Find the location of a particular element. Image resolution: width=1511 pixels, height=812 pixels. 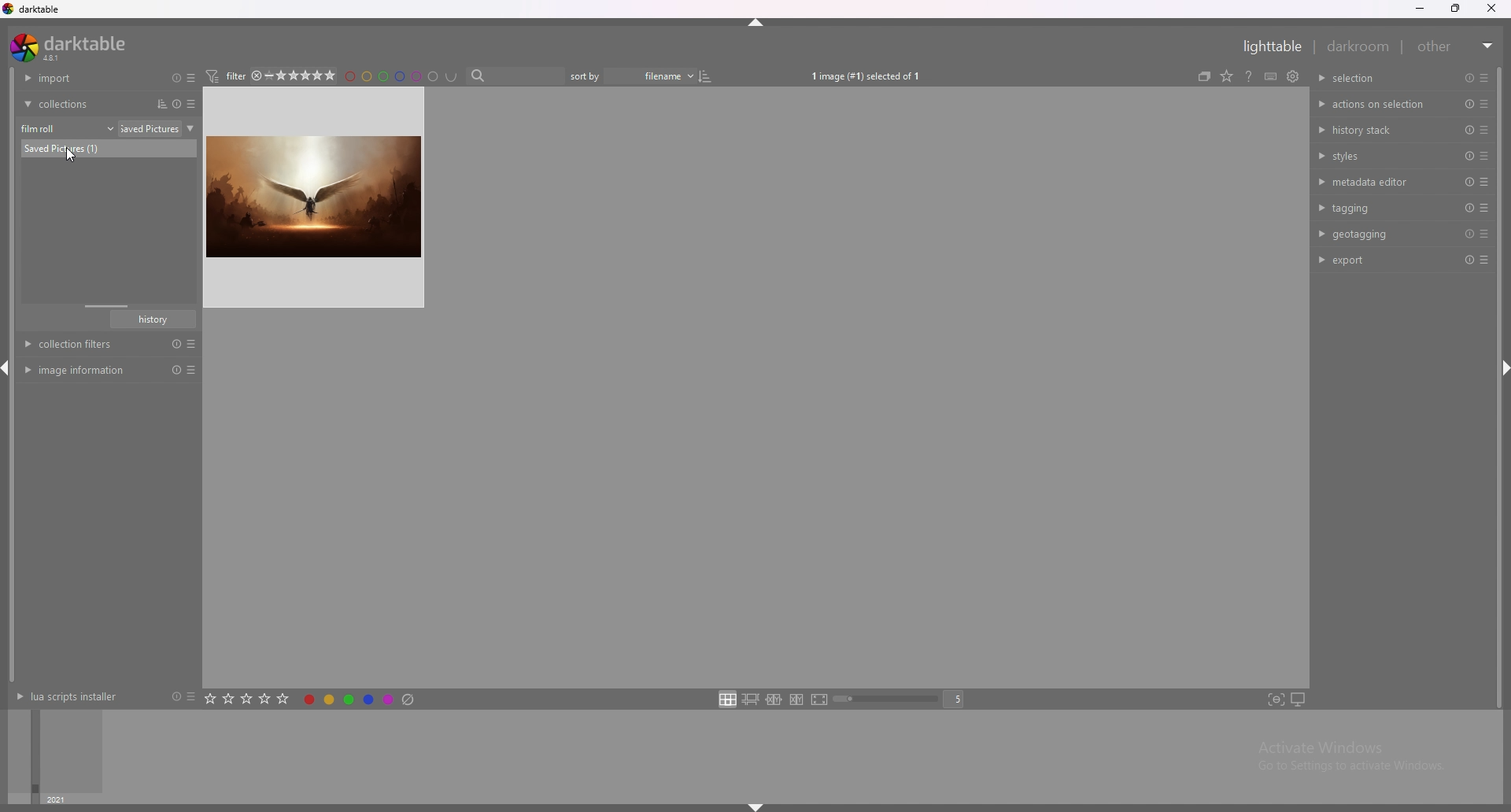

presets is located at coordinates (1485, 105).